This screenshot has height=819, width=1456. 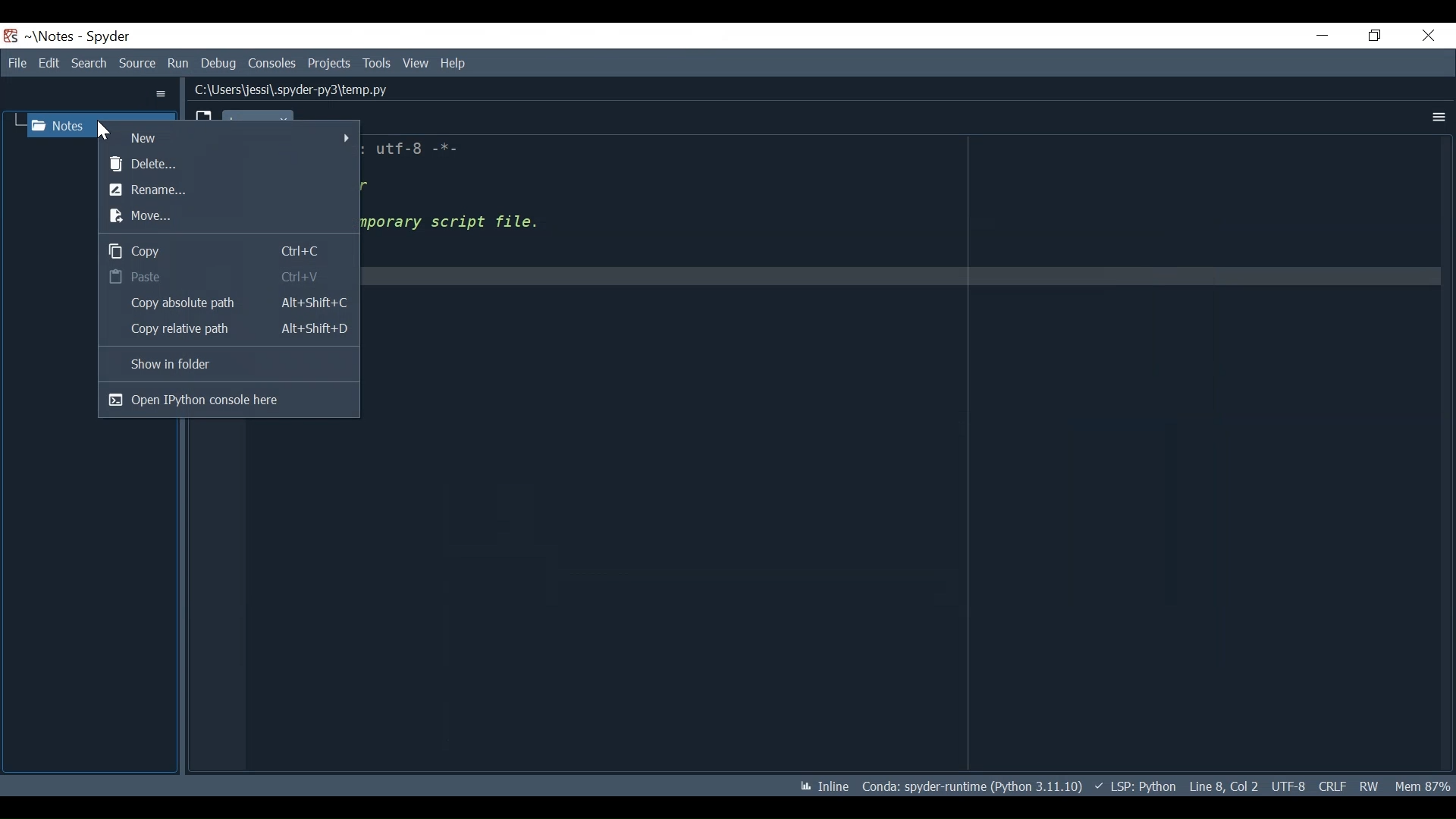 What do you see at coordinates (453, 64) in the screenshot?
I see `Help` at bounding box center [453, 64].